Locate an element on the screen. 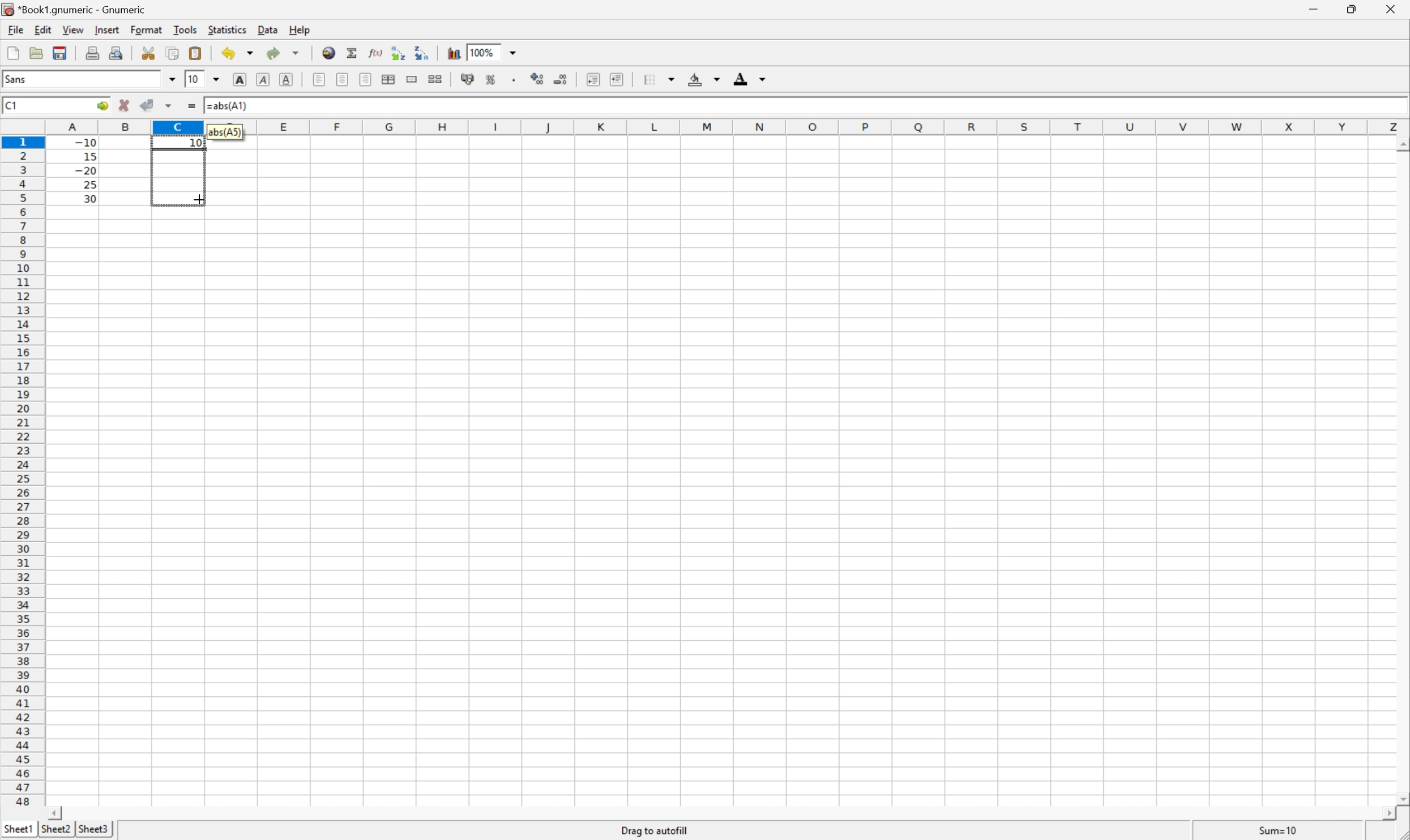 This screenshot has width=1410, height=840. Drop Down is located at coordinates (218, 78).